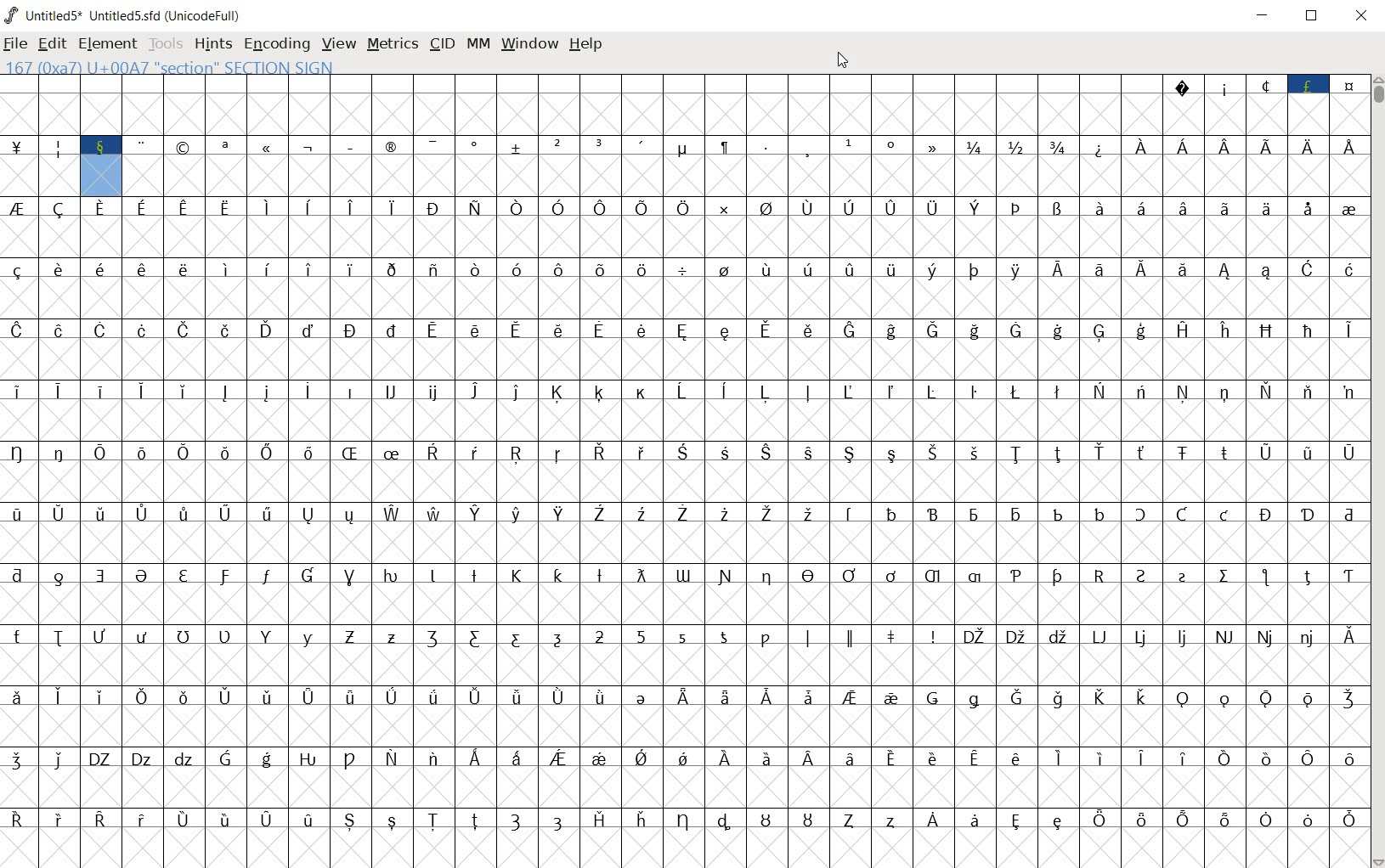 This screenshot has height=868, width=1385. I want to click on accented characters, so click(1053, 289).